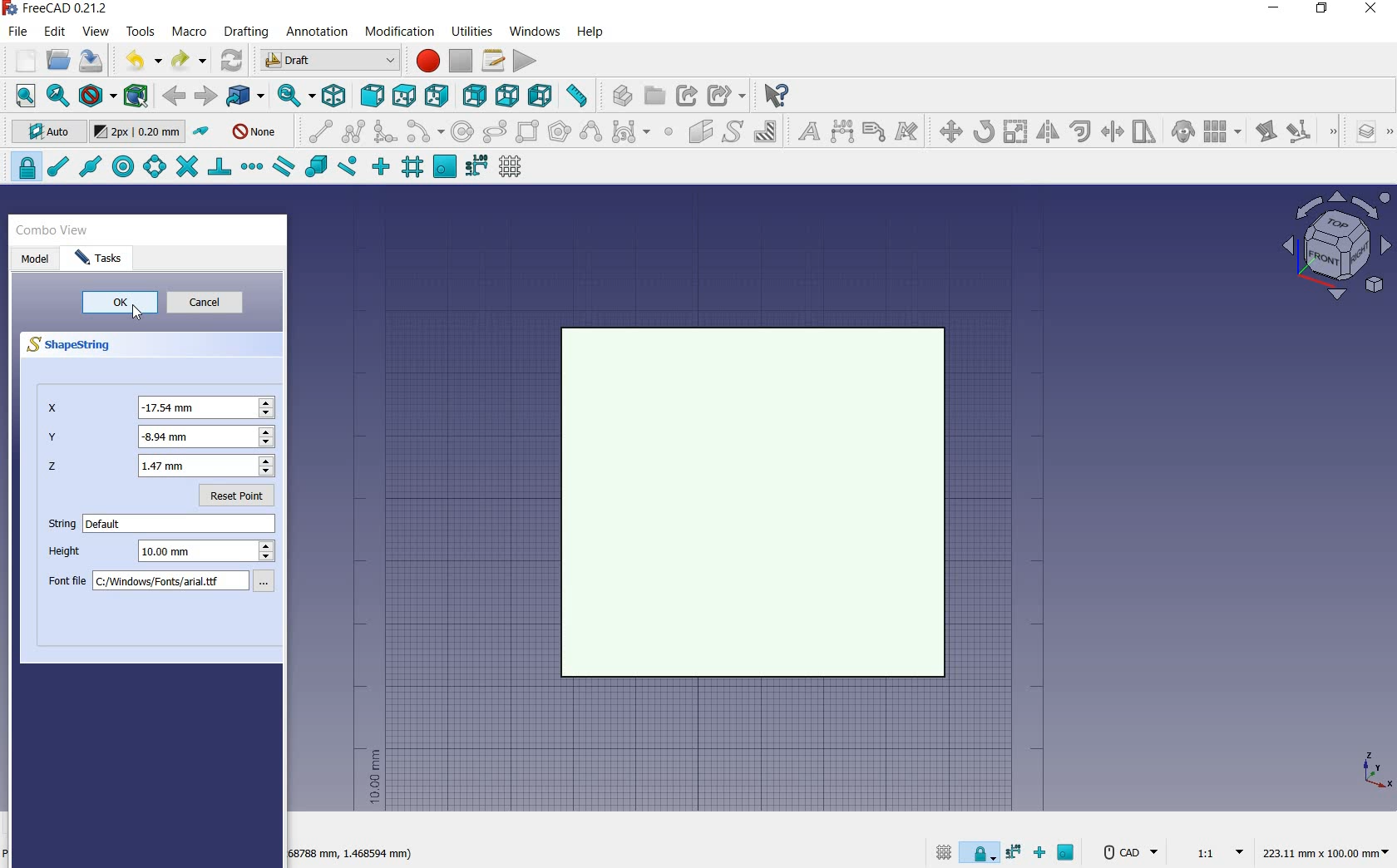  Describe the element at coordinates (137, 97) in the screenshot. I see `bounding box` at that location.